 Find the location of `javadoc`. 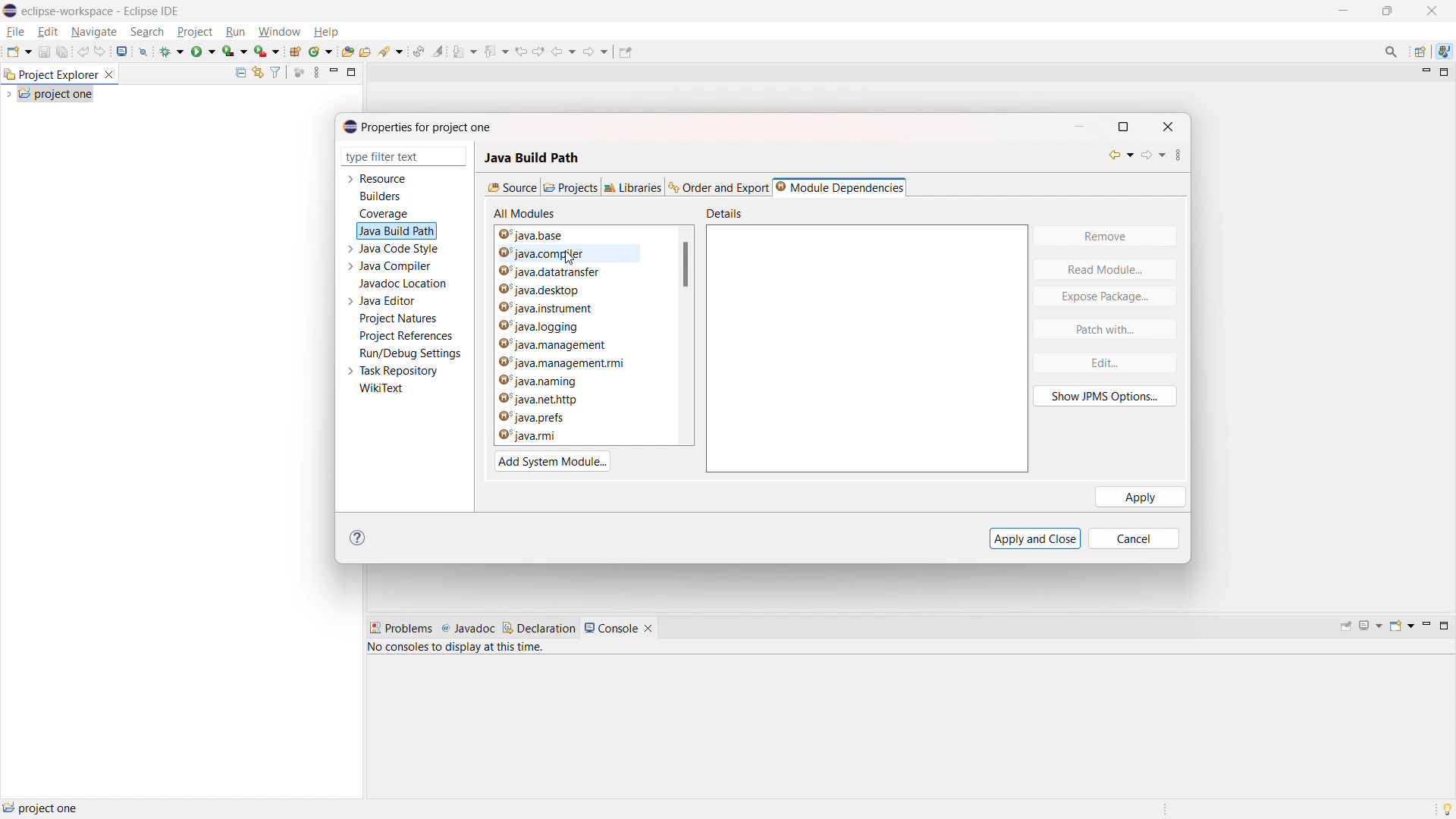

javadoc is located at coordinates (468, 629).